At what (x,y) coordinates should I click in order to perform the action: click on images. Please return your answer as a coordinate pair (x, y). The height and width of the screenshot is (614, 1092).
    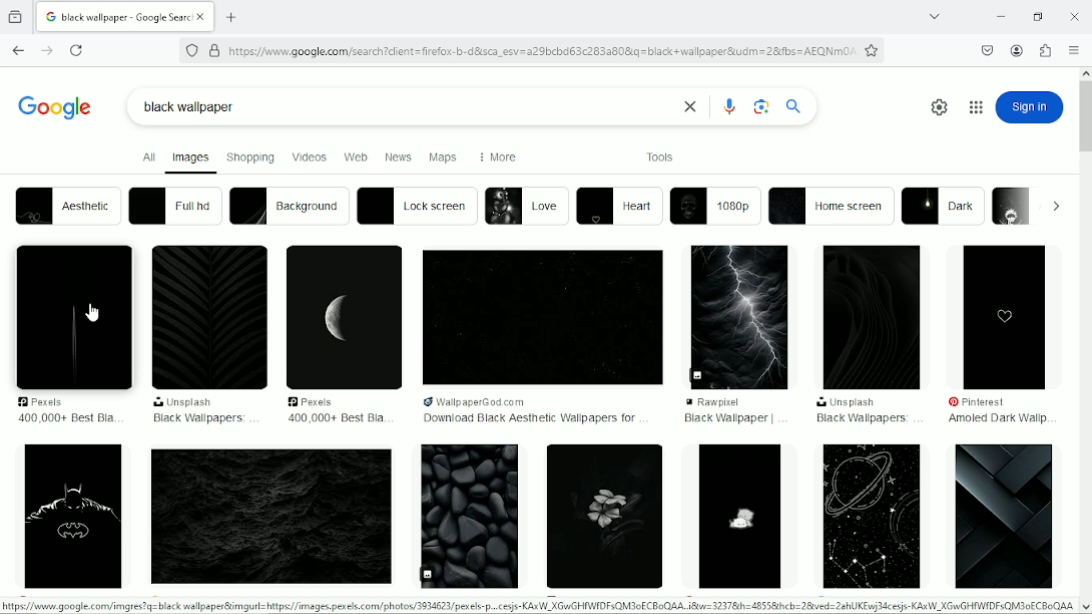
    Looking at the image, I should click on (191, 160).